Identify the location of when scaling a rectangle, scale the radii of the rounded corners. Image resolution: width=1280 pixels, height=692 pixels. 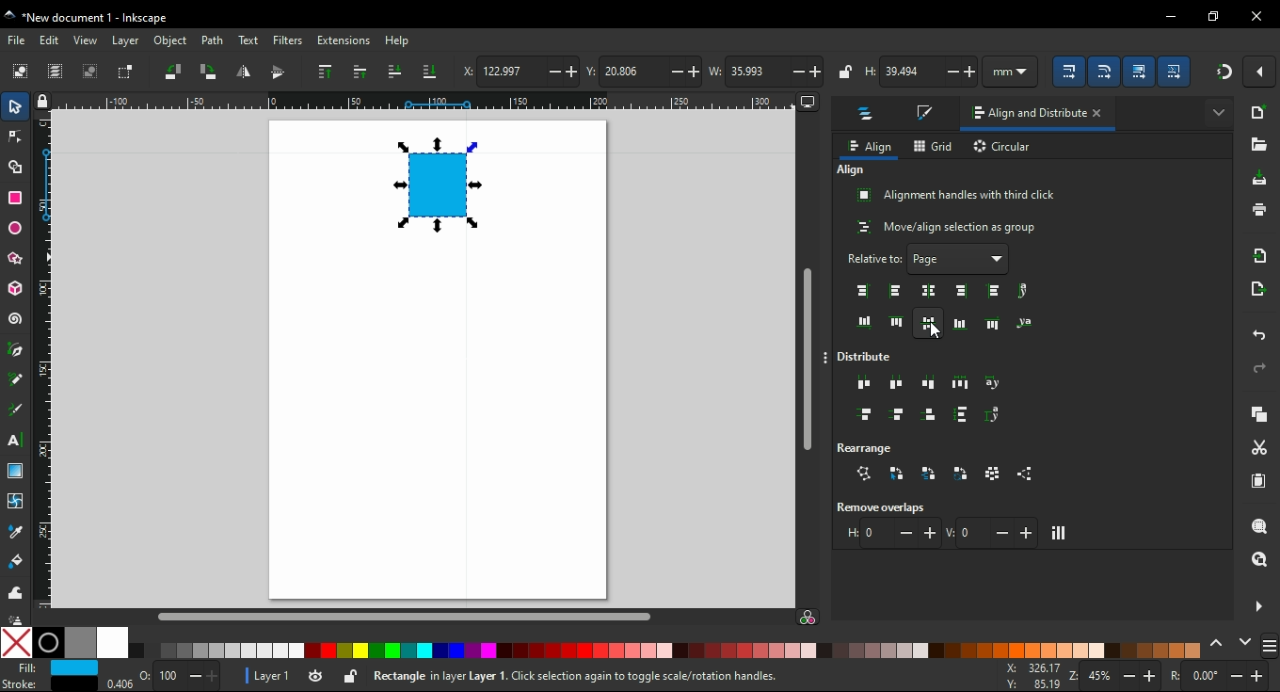
(1108, 70).